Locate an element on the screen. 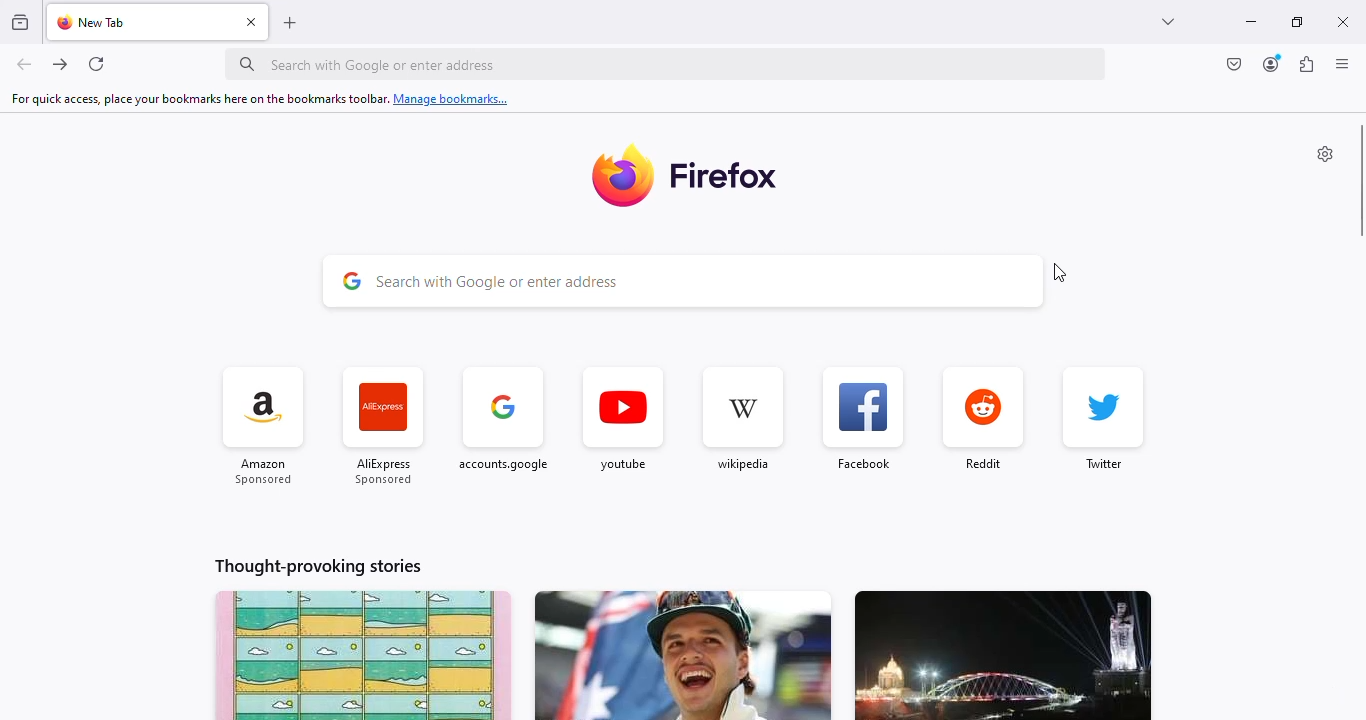 This screenshot has width=1366, height=720. cursor is located at coordinates (1061, 273).